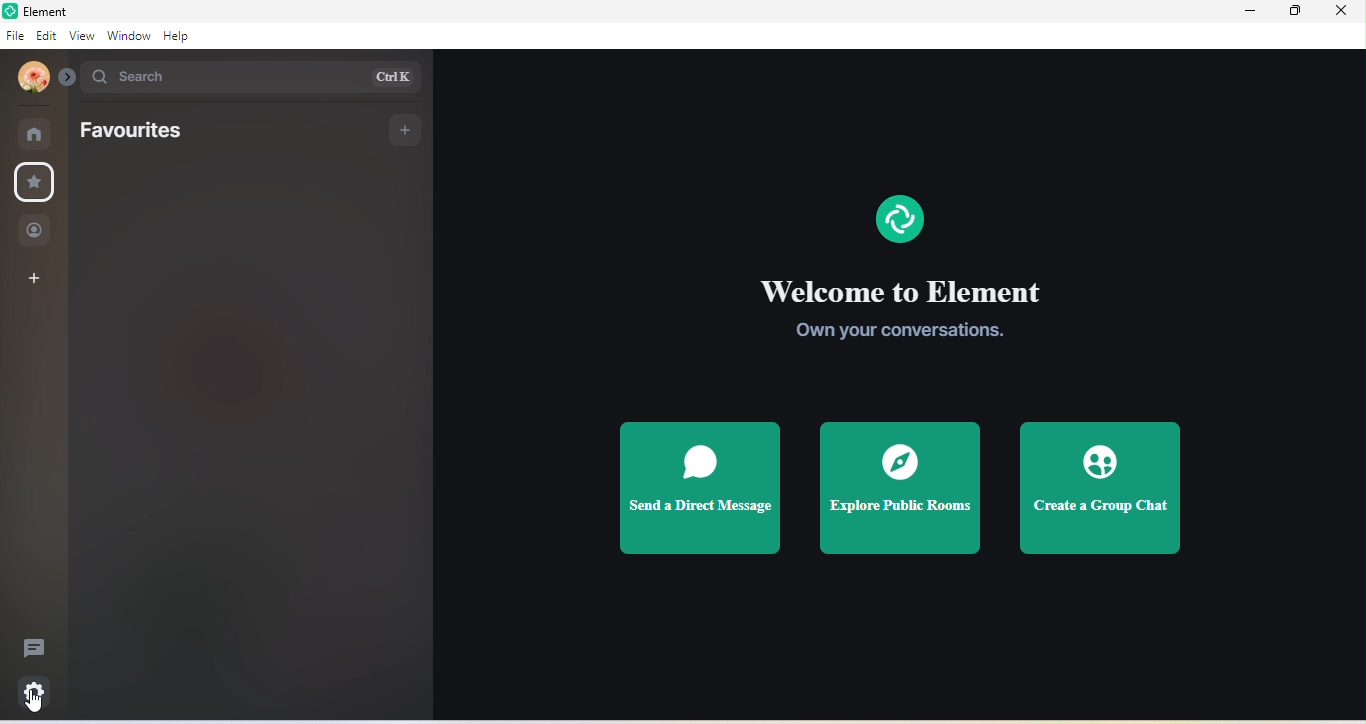  Describe the element at coordinates (1102, 487) in the screenshot. I see `create a group chat` at that location.